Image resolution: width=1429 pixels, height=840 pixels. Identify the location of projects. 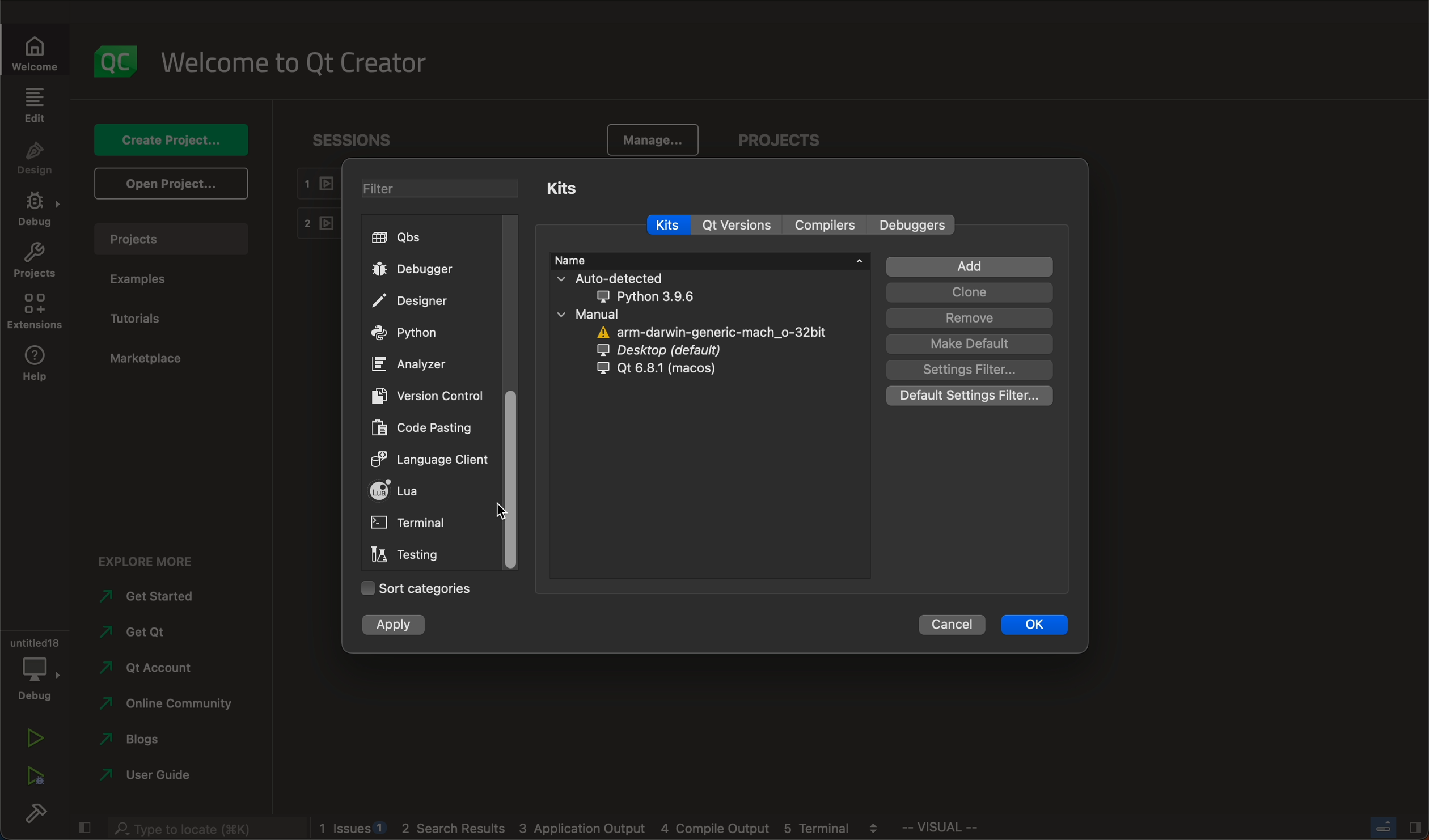
(175, 236).